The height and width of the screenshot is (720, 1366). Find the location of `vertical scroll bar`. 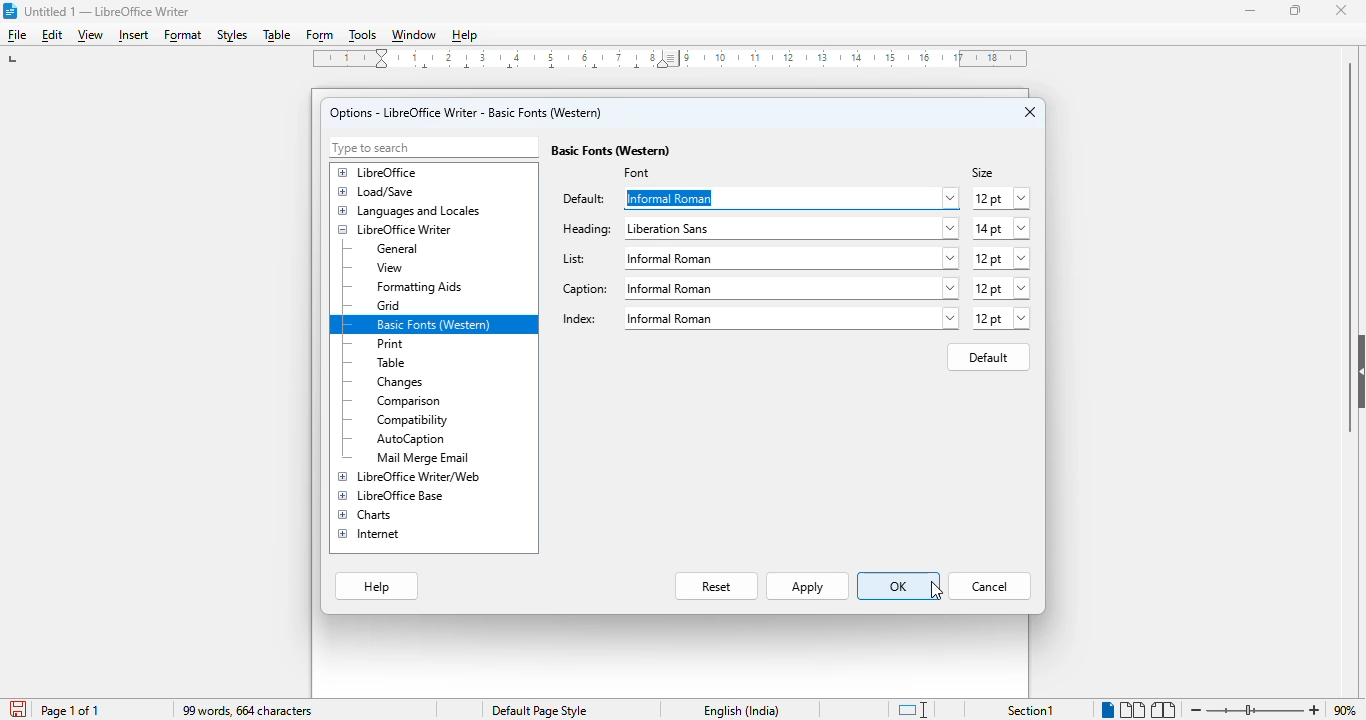

vertical scroll bar is located at coordinates (1342, 245).